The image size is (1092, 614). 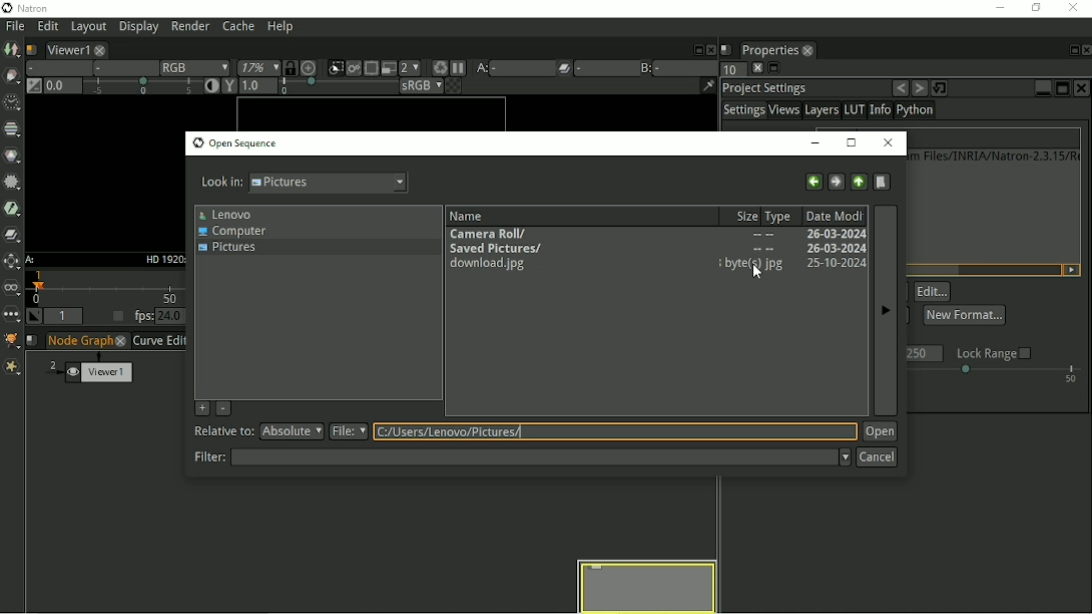 I want to click on File, so click(x=594, y=432).